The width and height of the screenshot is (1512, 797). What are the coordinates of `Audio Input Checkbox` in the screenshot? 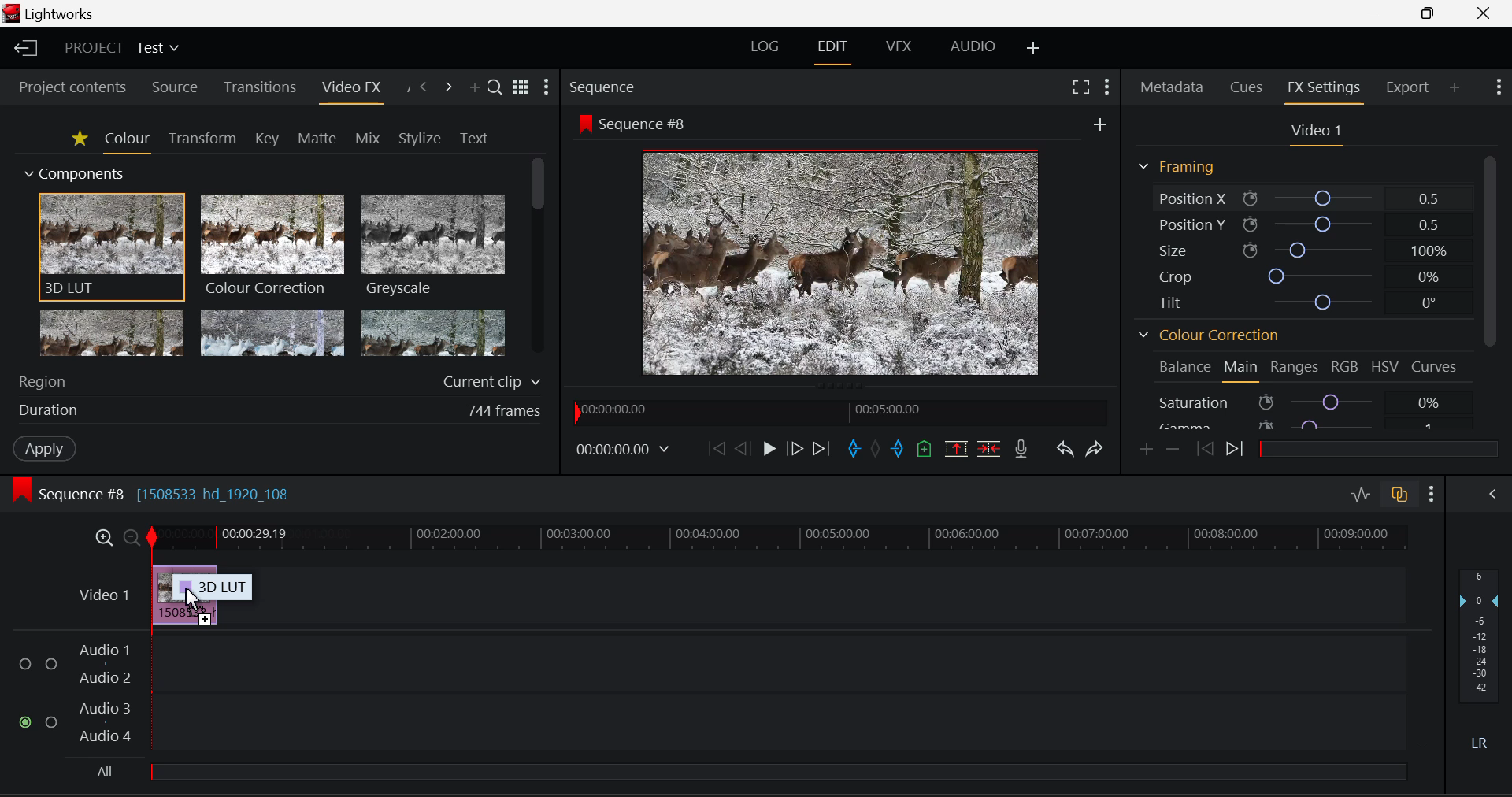 It's located at (52, 720).